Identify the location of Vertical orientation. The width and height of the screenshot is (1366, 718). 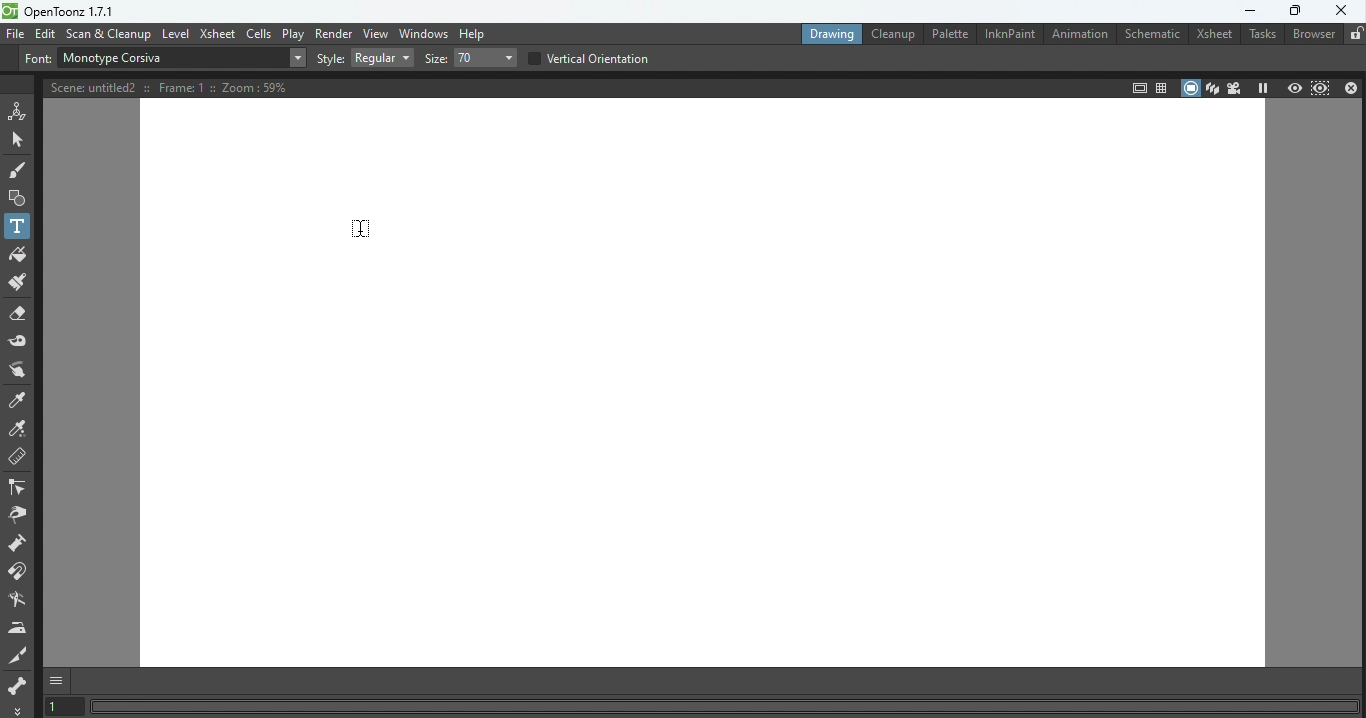
(597, 58).